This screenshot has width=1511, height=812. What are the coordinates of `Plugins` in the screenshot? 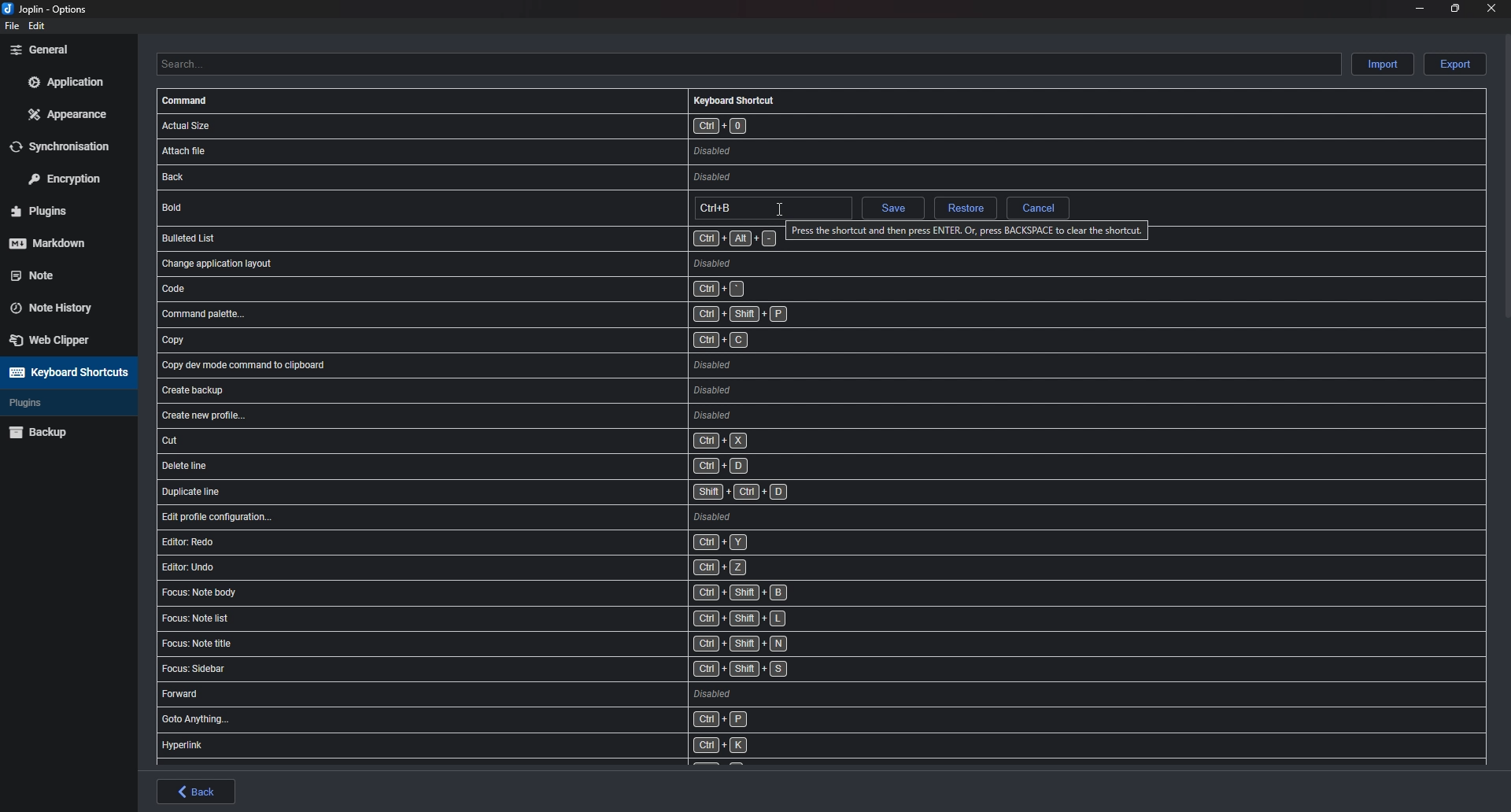 It's located at (57, 403).